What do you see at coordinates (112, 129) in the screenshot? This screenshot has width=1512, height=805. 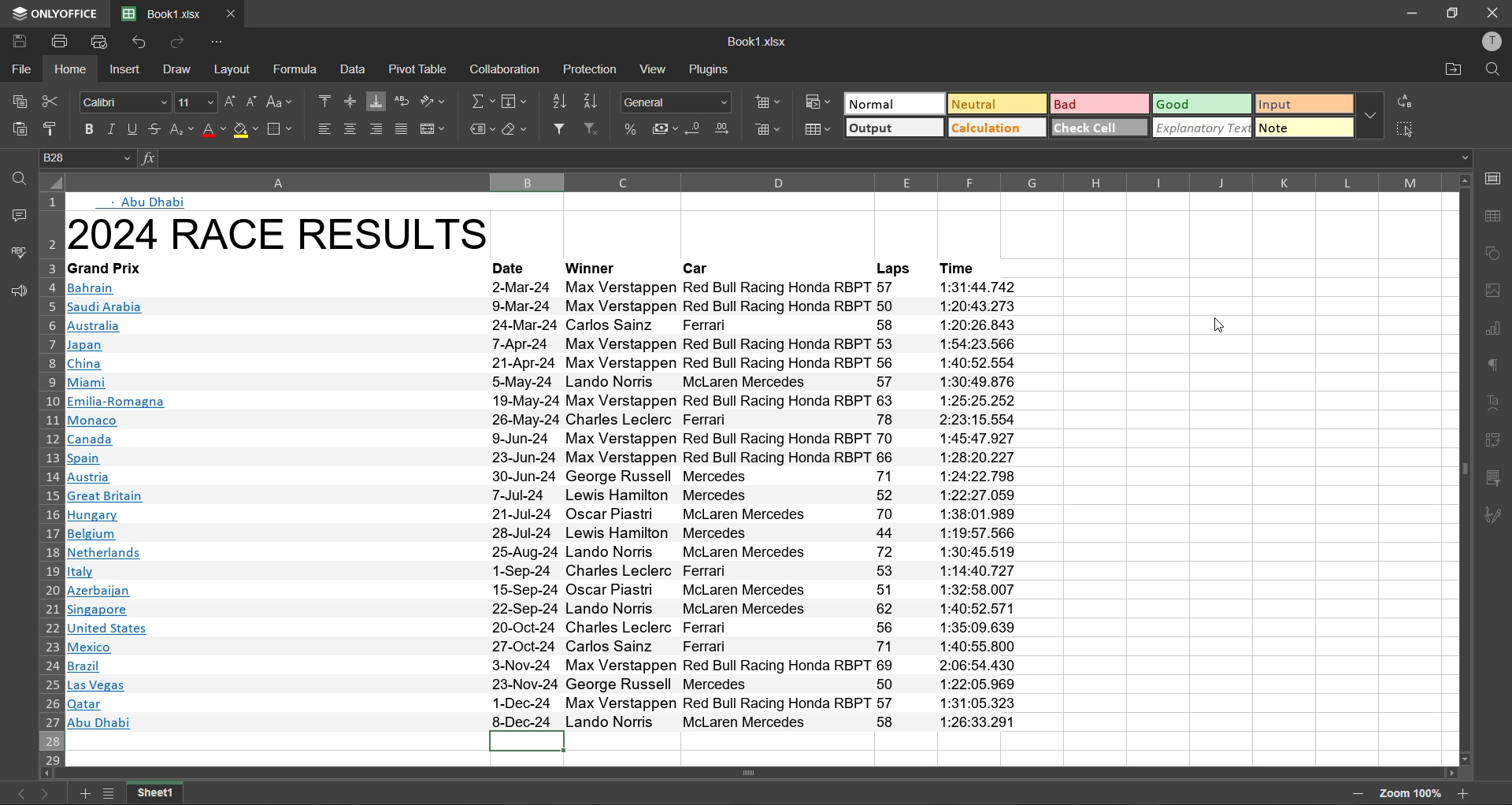 I see `italic` at bounding box center [112, 129].